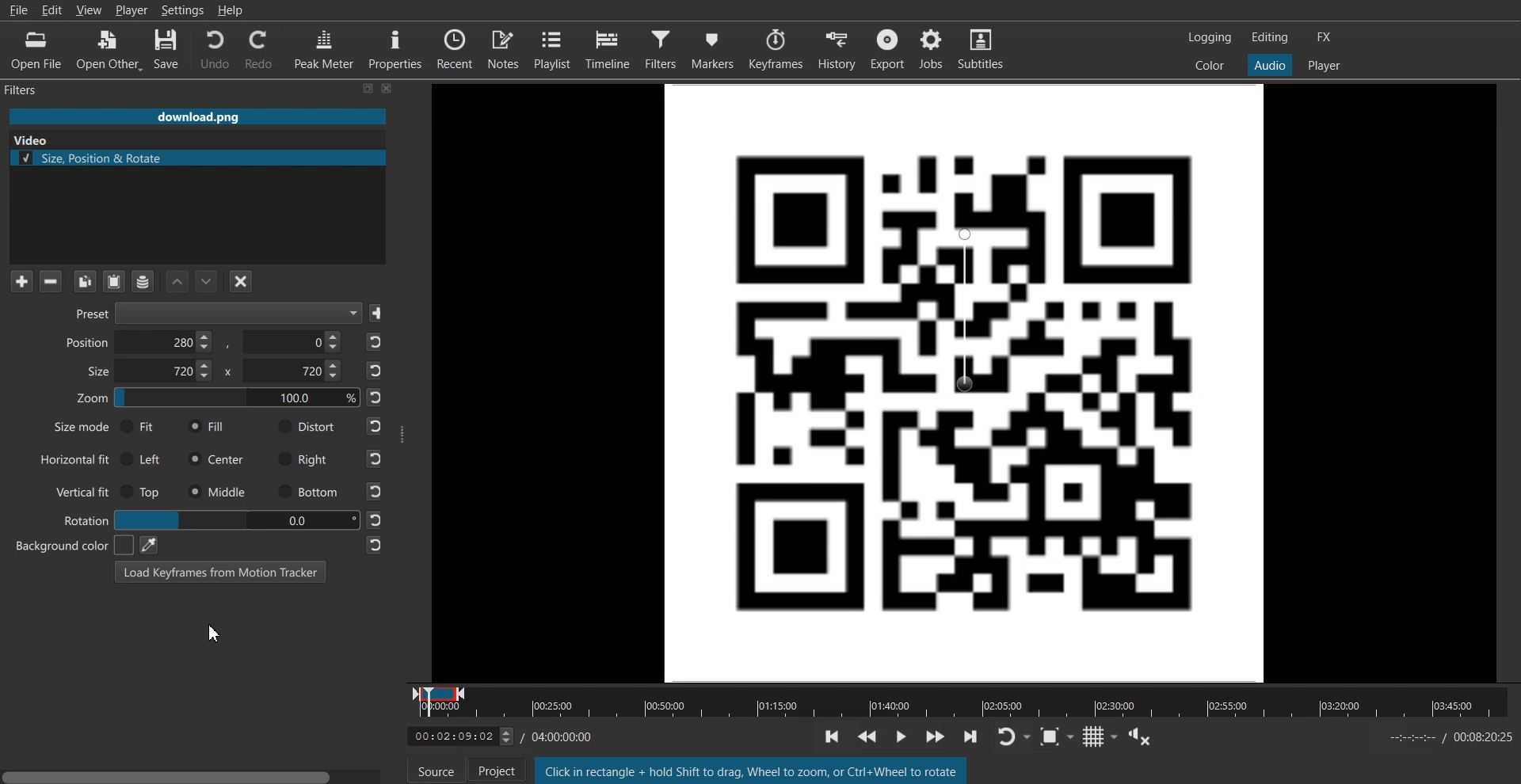 The width and height of the screenshot is (1521, 784). What do you see at coordinates (554, 48) in the screenshot?
I see `Playlist` at bounding box center [554, 48].